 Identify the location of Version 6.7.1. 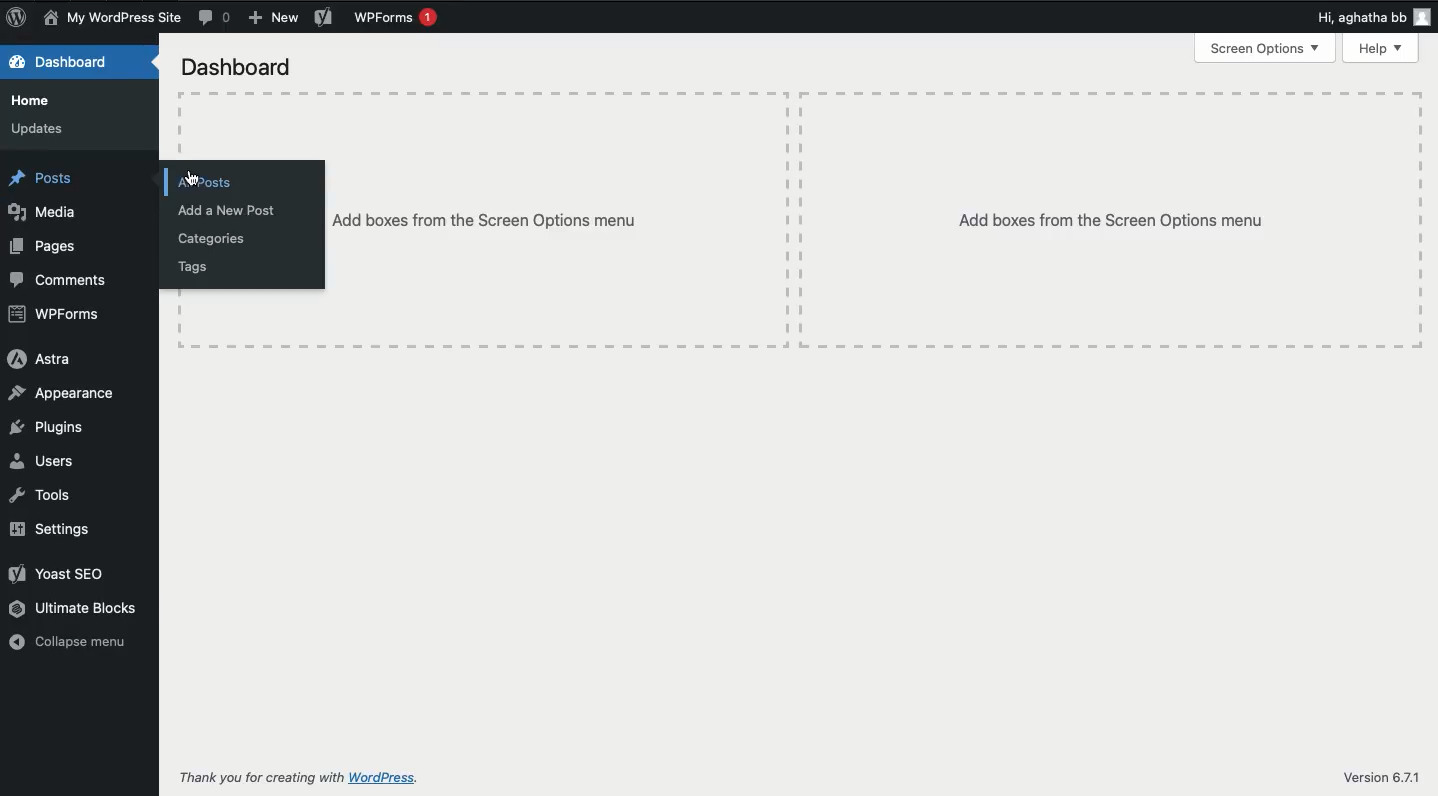
(1383, 778).